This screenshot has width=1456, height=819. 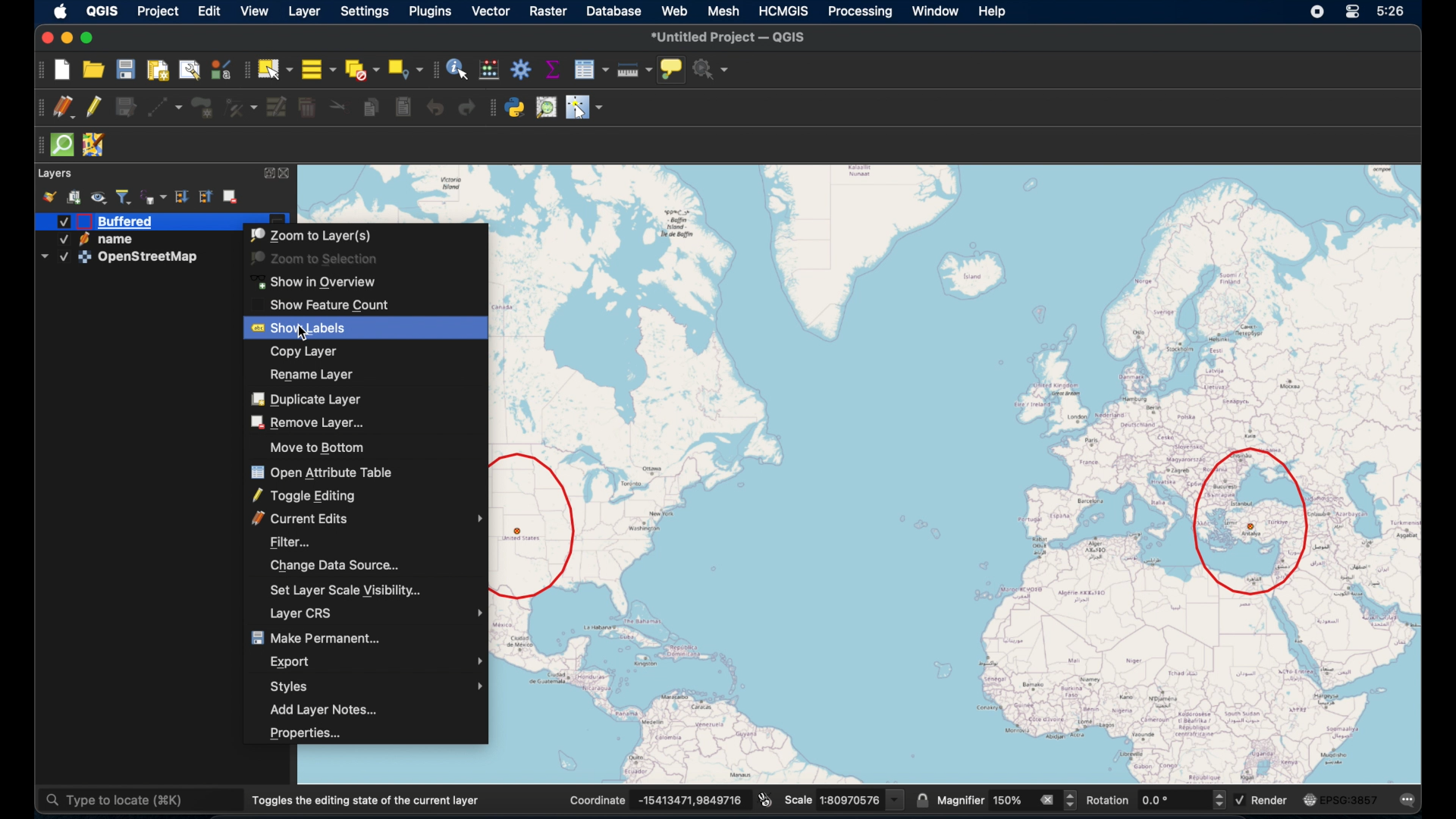 I want to click on drag handle, so click(x=493, y=108).